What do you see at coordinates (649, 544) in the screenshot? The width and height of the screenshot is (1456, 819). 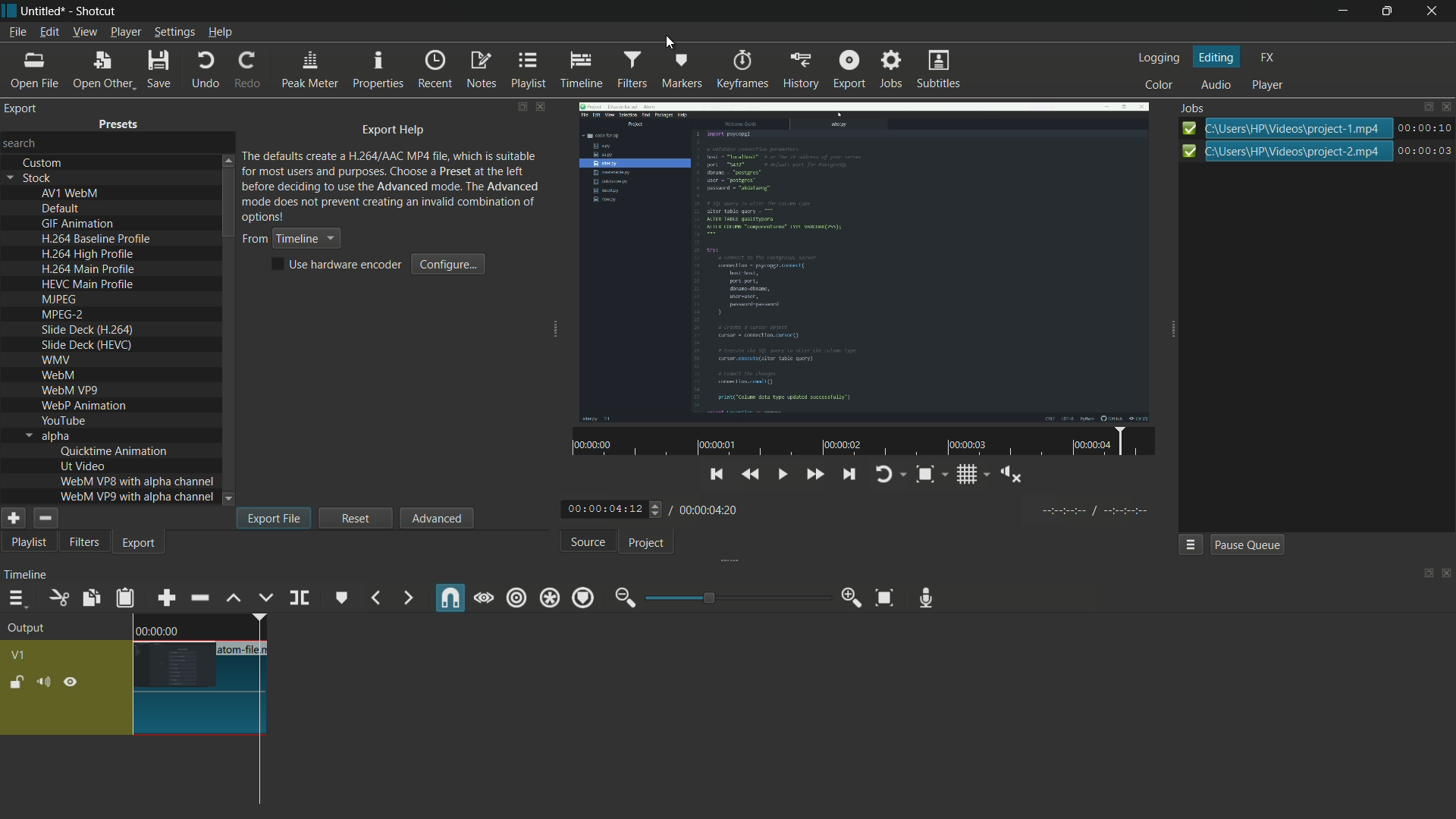 I see `project` at bounding box center [649, 544].